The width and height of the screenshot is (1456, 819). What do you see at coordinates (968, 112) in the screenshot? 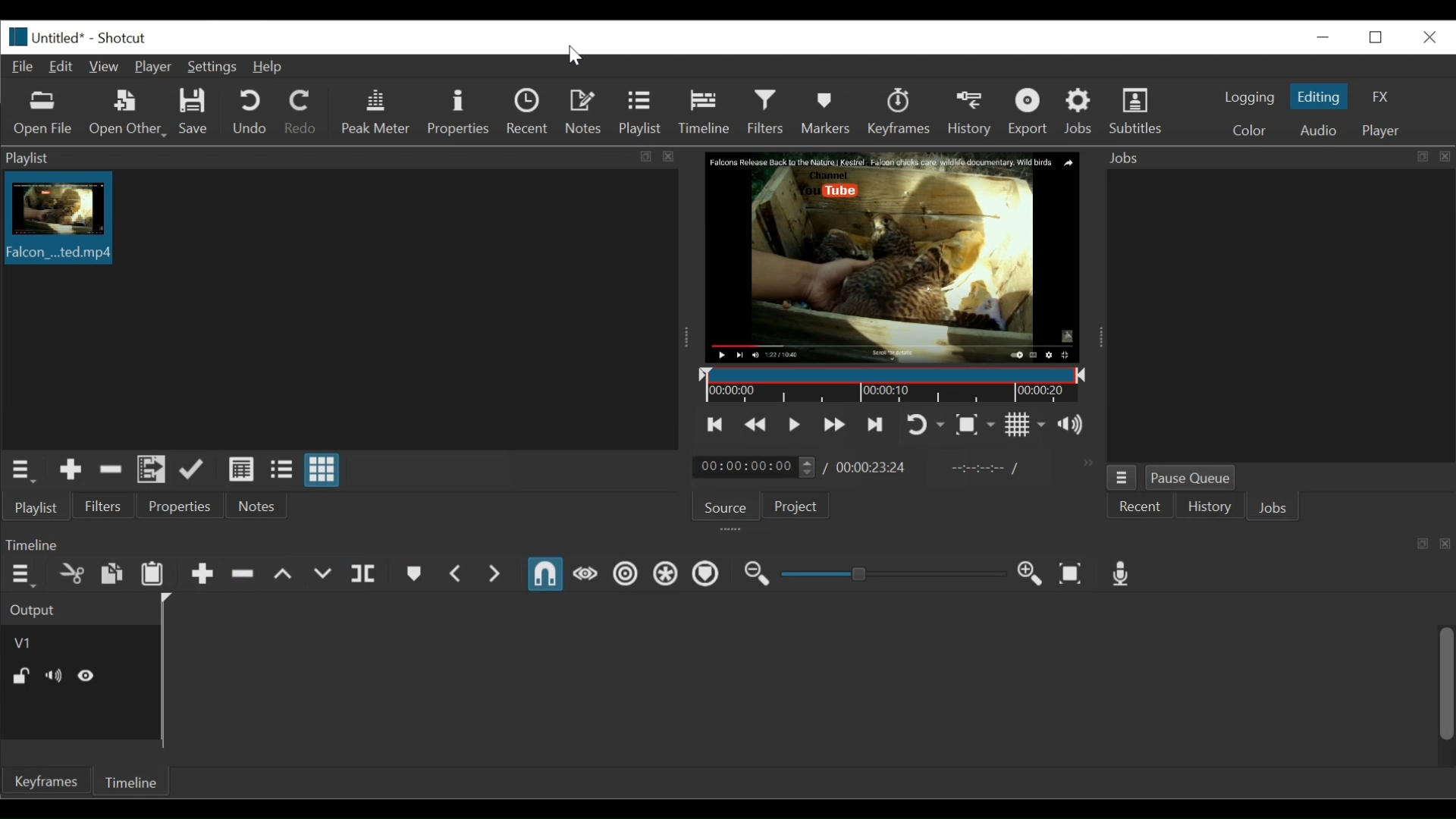
I see `History` at bounding box center [968, 112].